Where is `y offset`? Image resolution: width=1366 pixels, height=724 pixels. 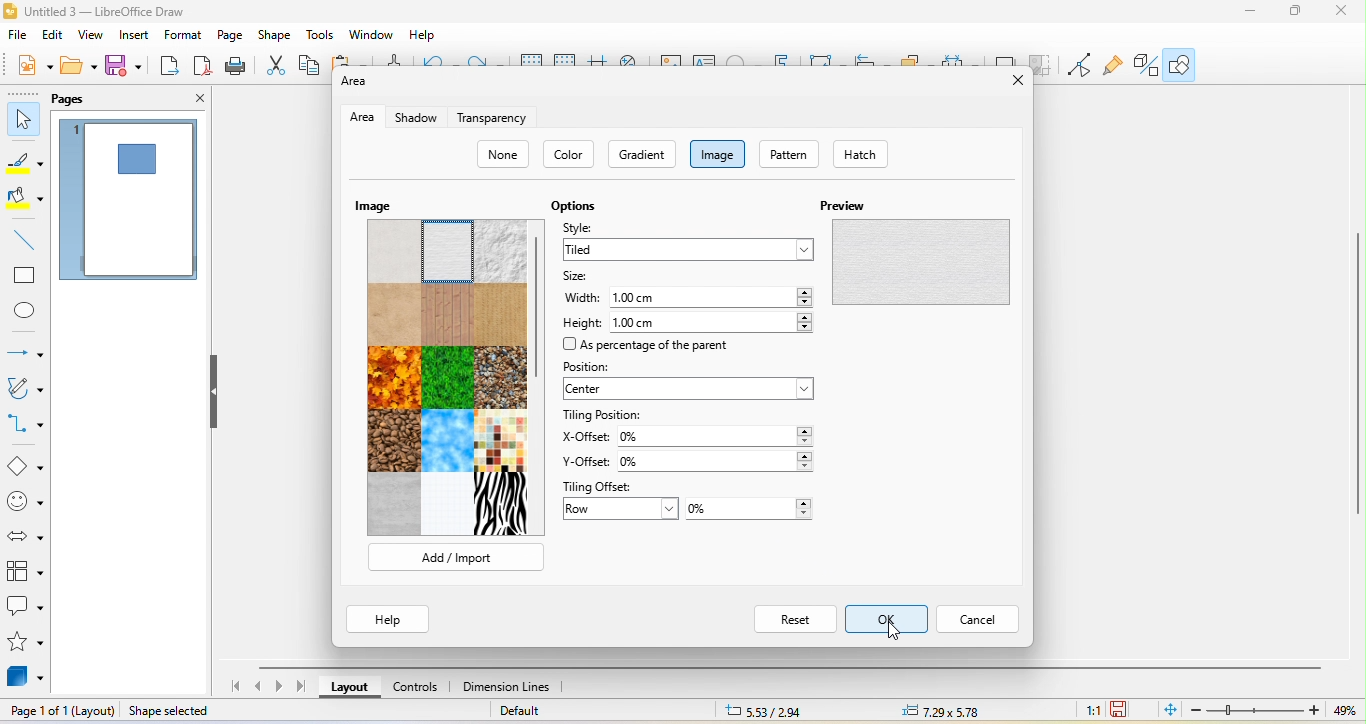 y offset is located at coordinates (585, 462).